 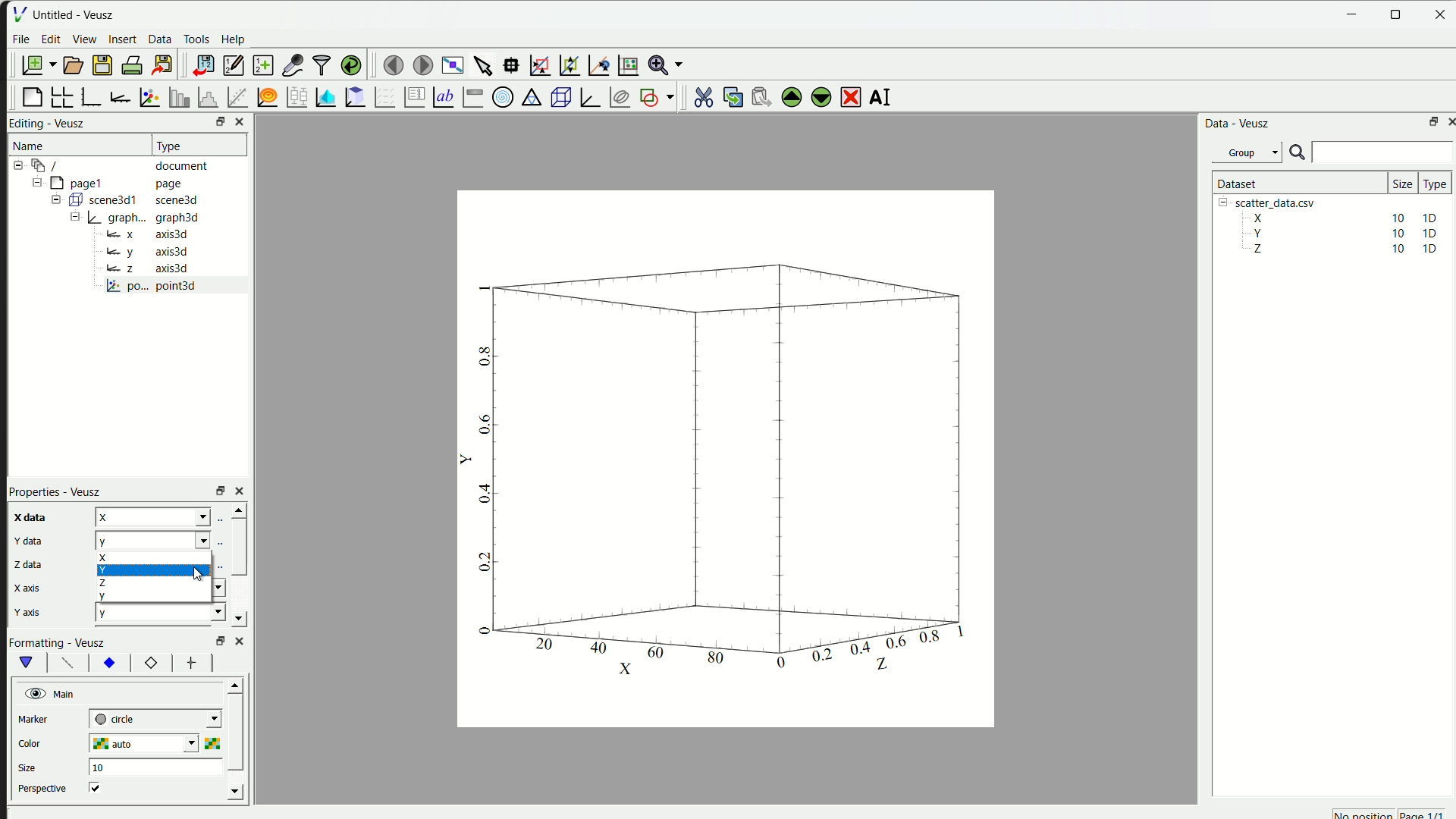 What do you see at coordinates (319, 64) in the screenshot?
I see `filter data` at bounding box center [319, 64].